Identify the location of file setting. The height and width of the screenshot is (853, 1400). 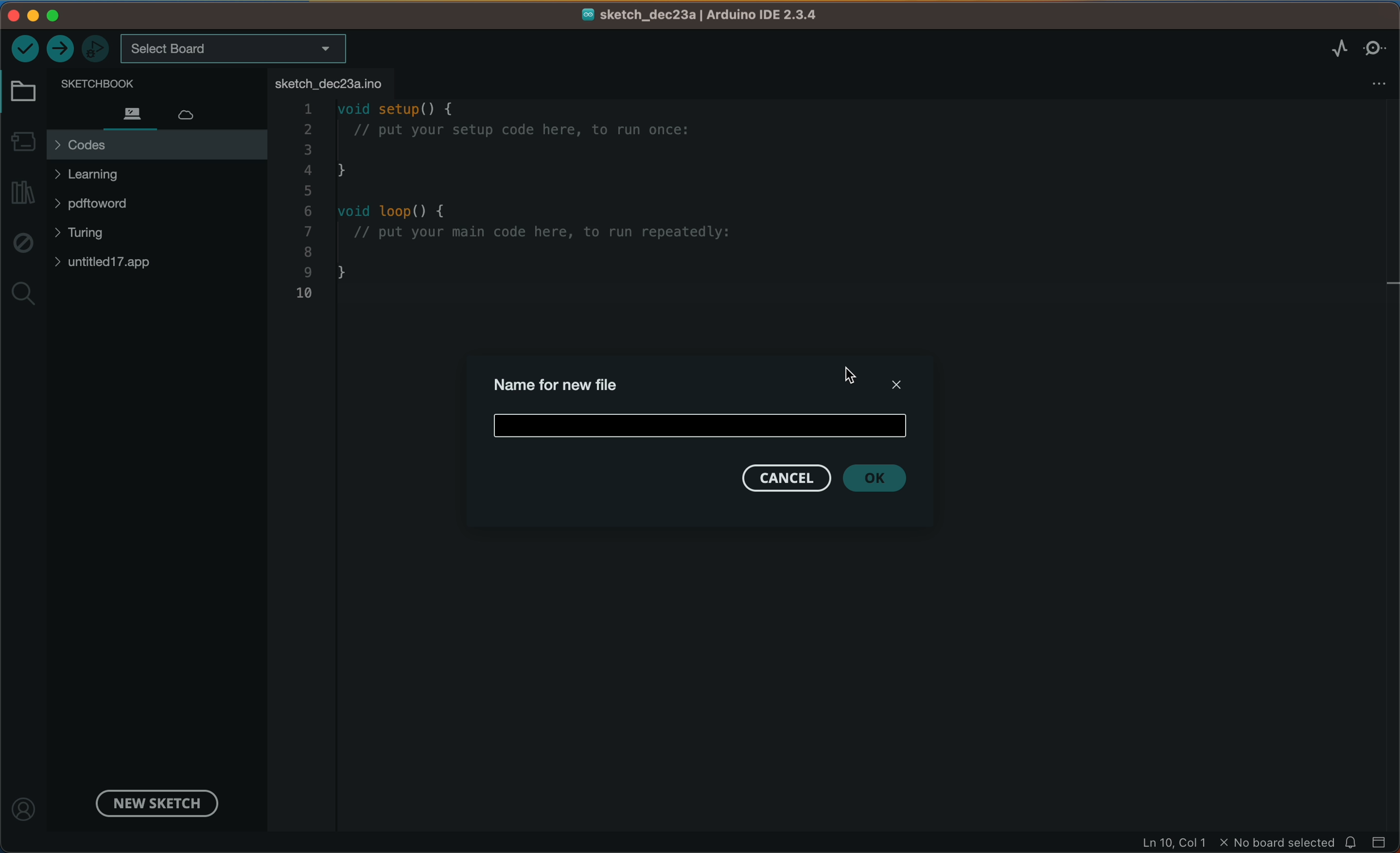
(1369, 84).